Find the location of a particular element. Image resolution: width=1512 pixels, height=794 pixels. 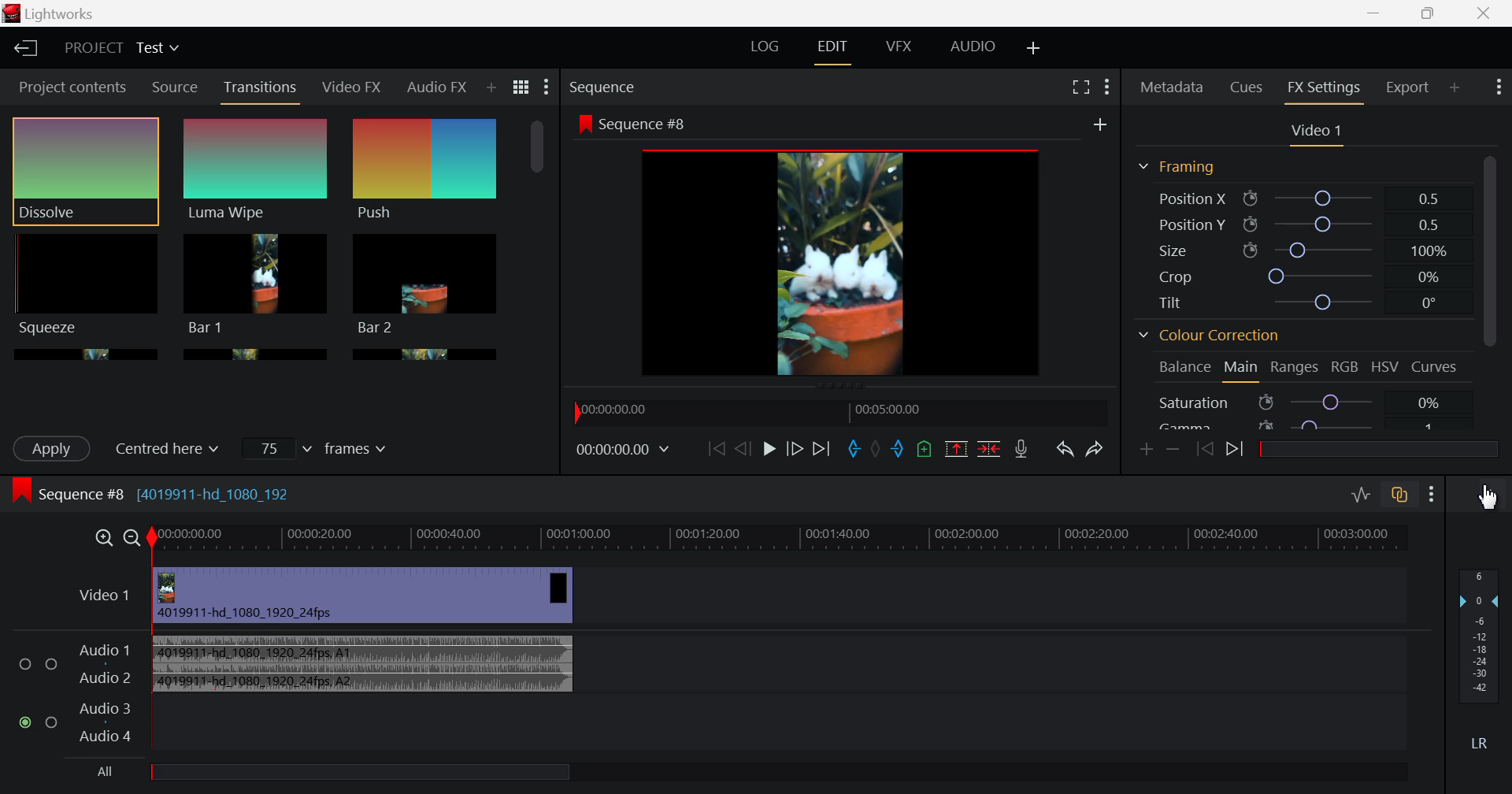

Audio FX is located at coordinates (435, 90).